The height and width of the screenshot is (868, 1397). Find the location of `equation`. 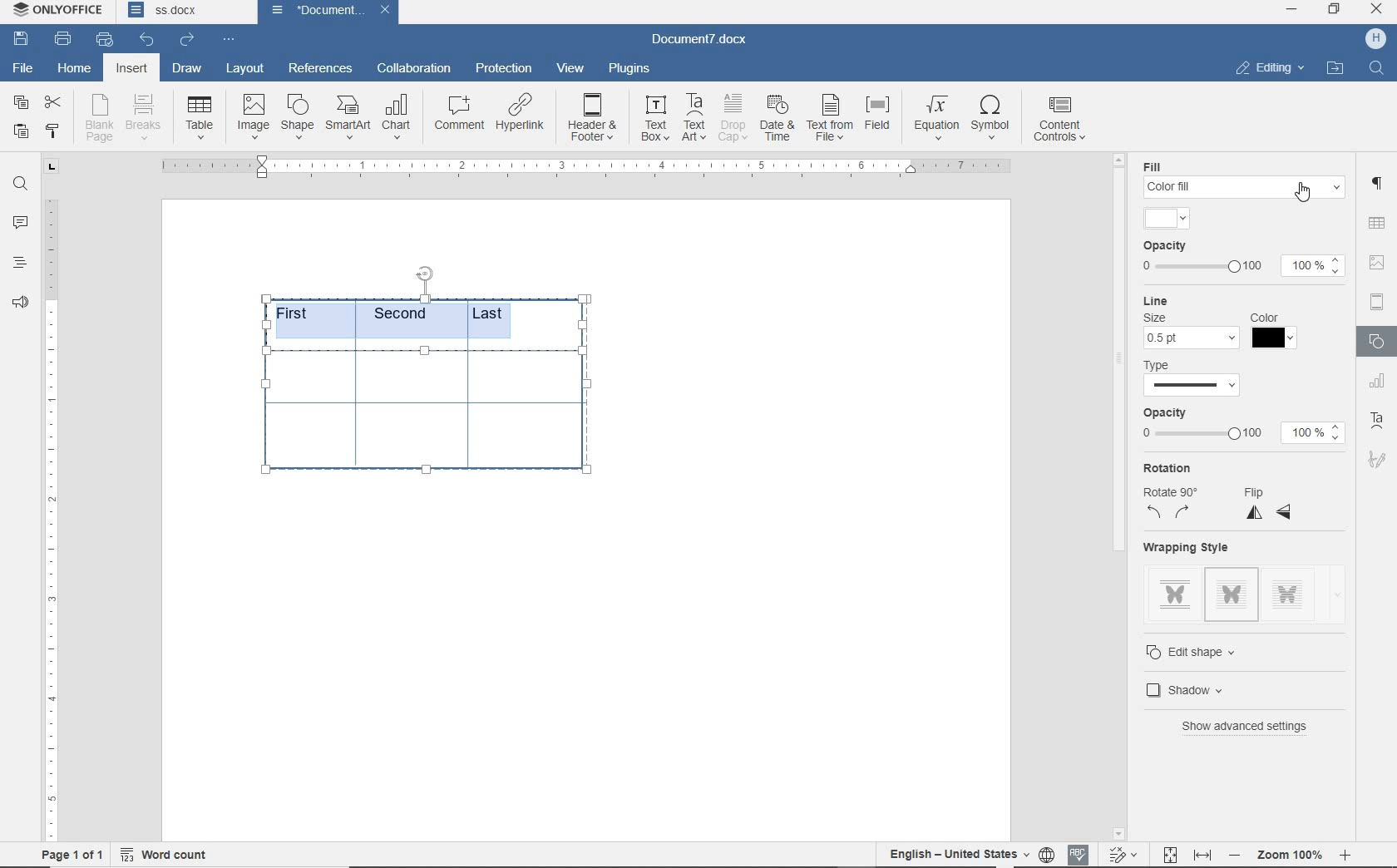

equation is located at coordinates (937, 119).